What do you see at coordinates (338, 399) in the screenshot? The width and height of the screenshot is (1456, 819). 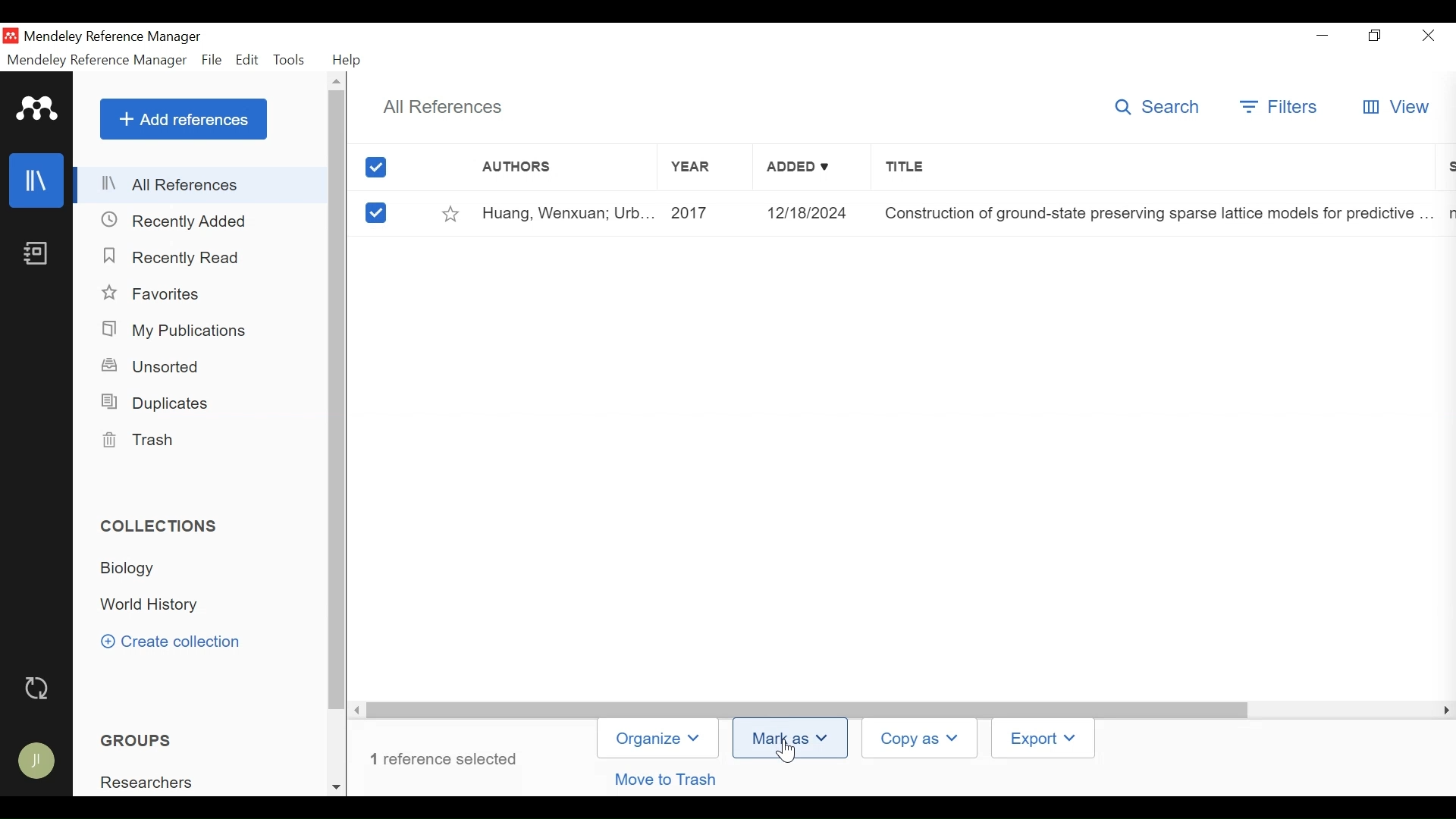 I see `Vertical Scroll bar` at bounding box center [338, 399].